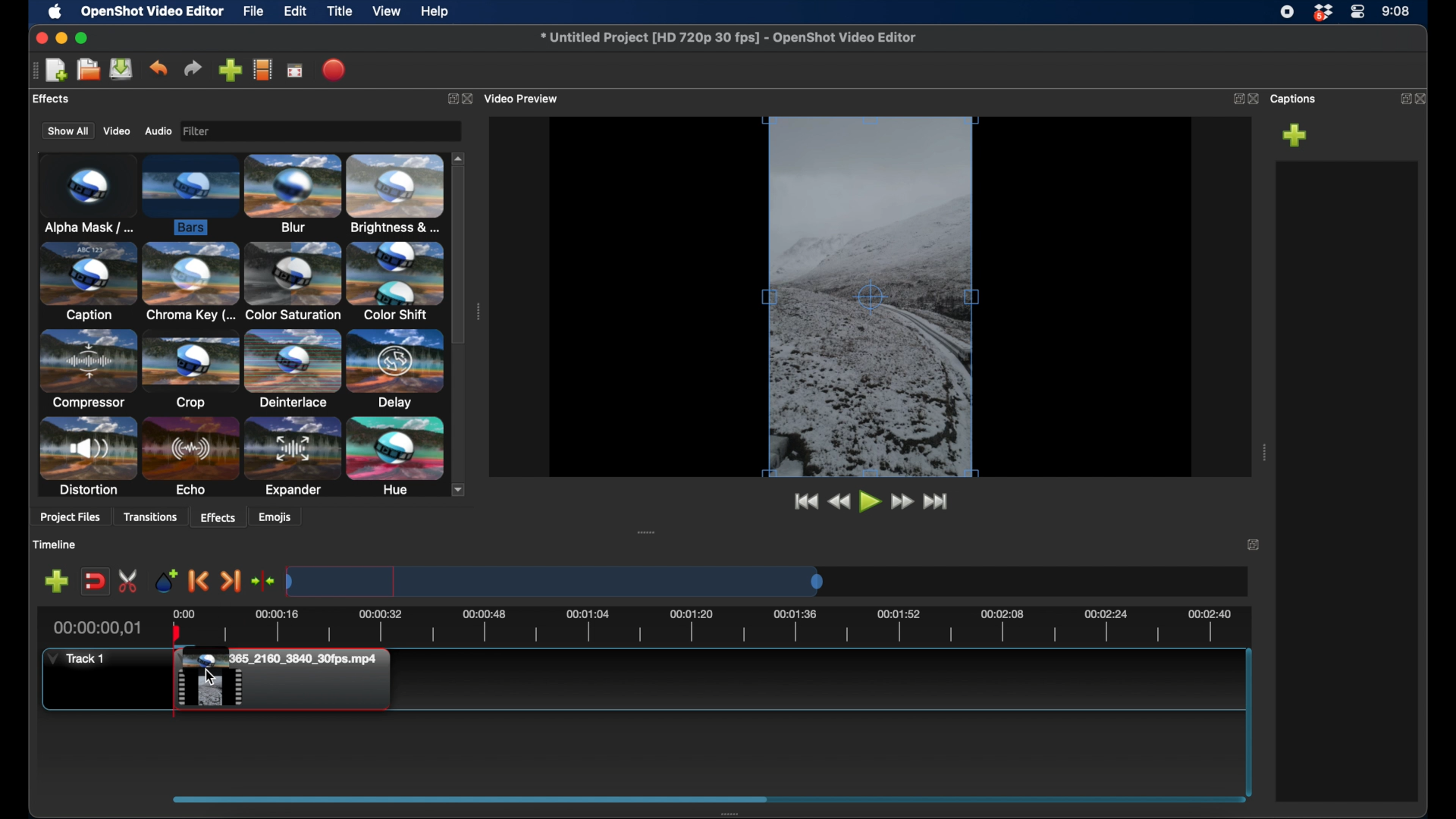  Describe the element at coordinates (1401, 98) in the screenshot. I see `expand` at that location.